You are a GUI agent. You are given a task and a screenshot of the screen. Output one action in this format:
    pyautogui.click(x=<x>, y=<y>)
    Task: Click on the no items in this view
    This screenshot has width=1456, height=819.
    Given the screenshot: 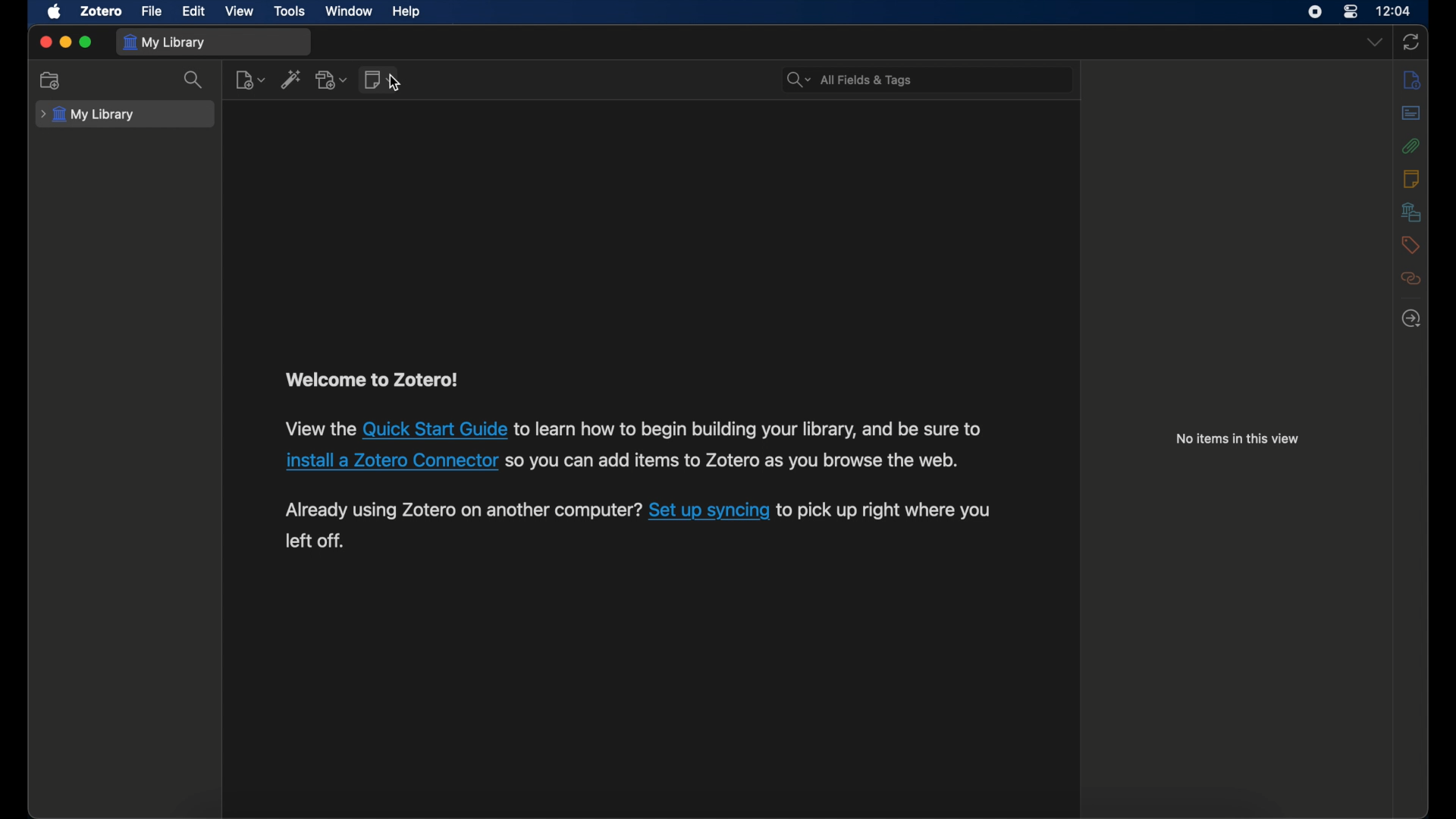 What is the action you would take?
    pyautogui.click(x=1239, y=440)
    